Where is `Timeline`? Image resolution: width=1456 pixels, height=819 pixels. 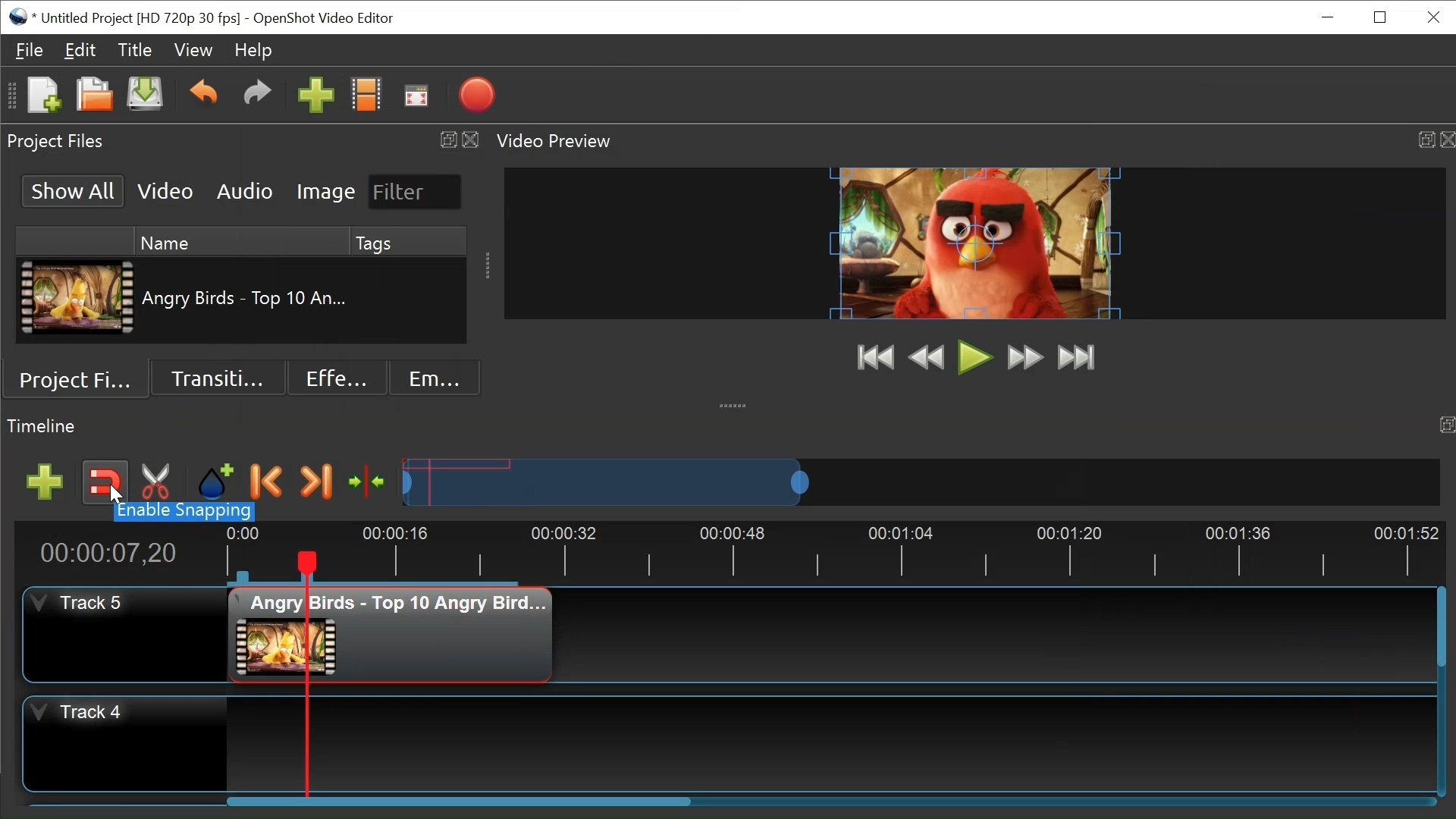
Timeline is located at coordinates (830, 554).